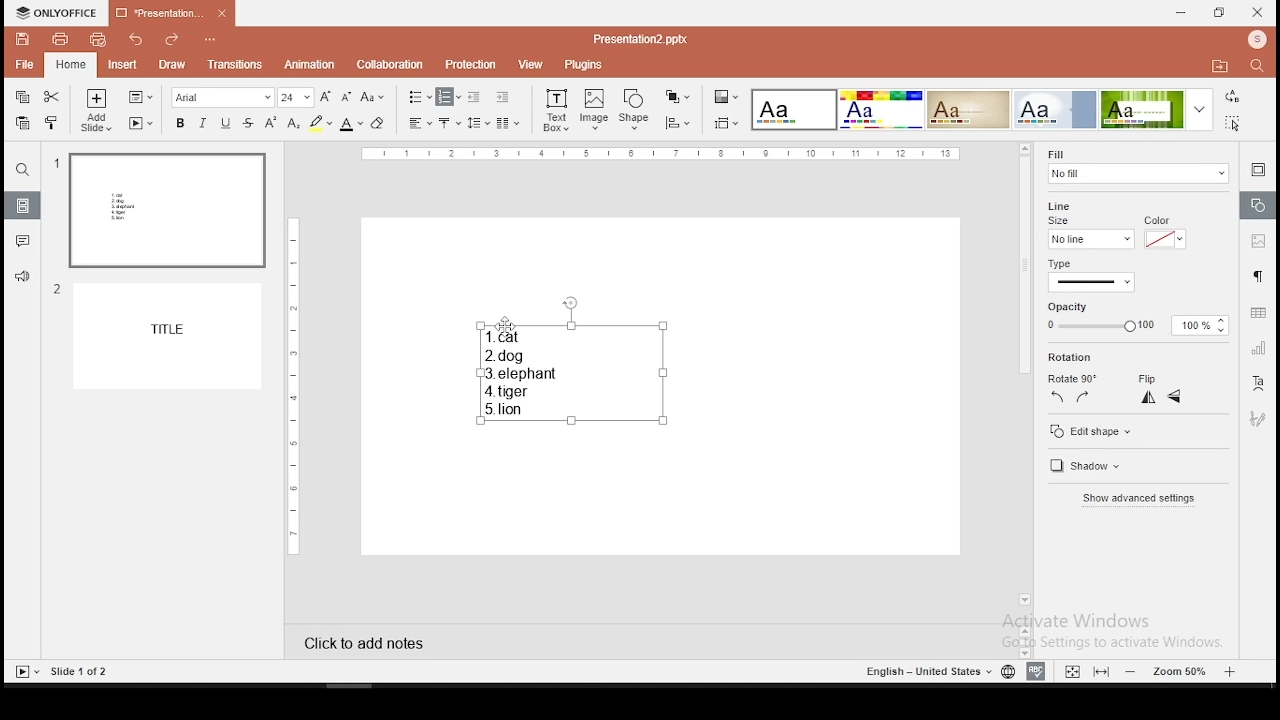  What do you see at coordinates (54, 123) in the screenshot?
I see `clone formatting` at bounding box center [54, 123].